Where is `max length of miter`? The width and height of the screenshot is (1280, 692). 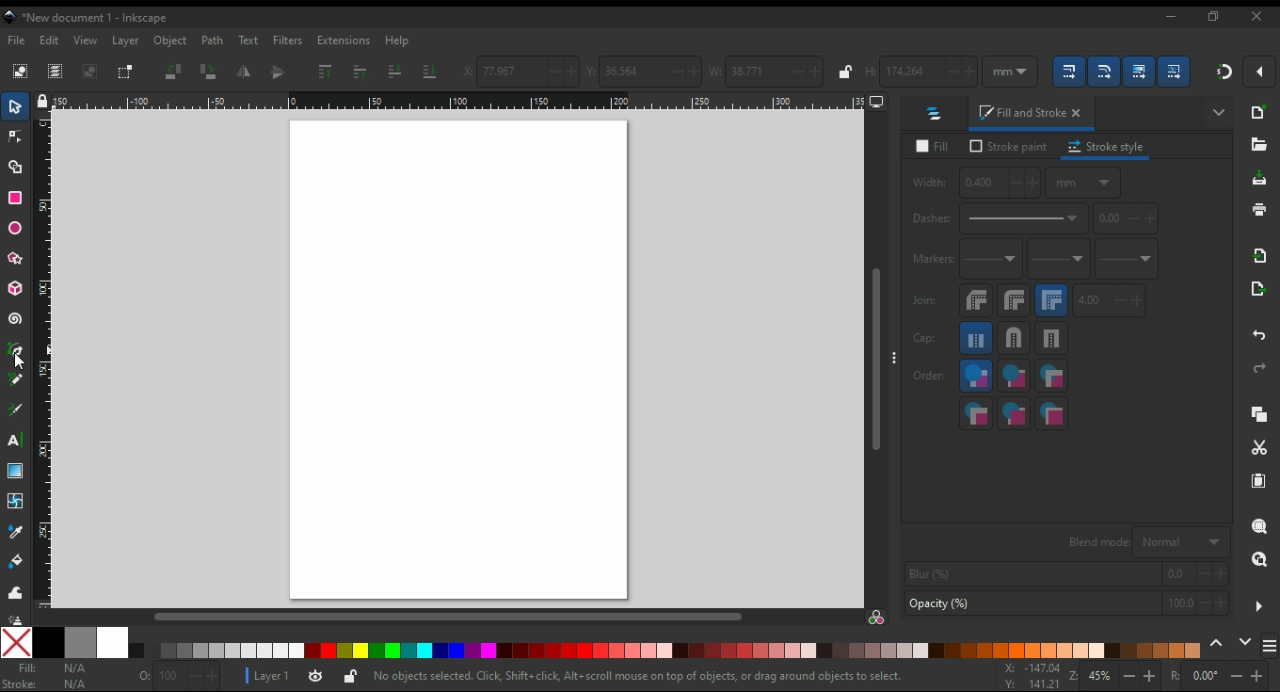 max length of miter is located at coordinates (1110, 301).